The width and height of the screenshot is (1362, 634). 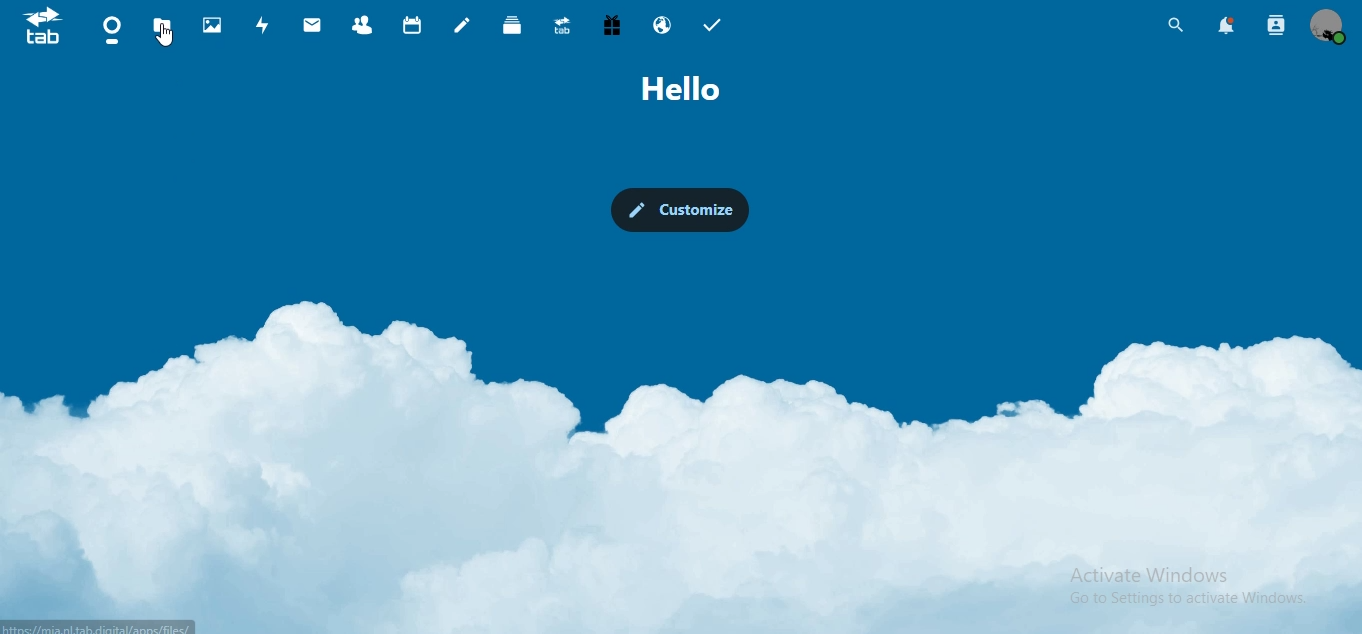 I want to click on dashboard, so click(x=112, y=29).